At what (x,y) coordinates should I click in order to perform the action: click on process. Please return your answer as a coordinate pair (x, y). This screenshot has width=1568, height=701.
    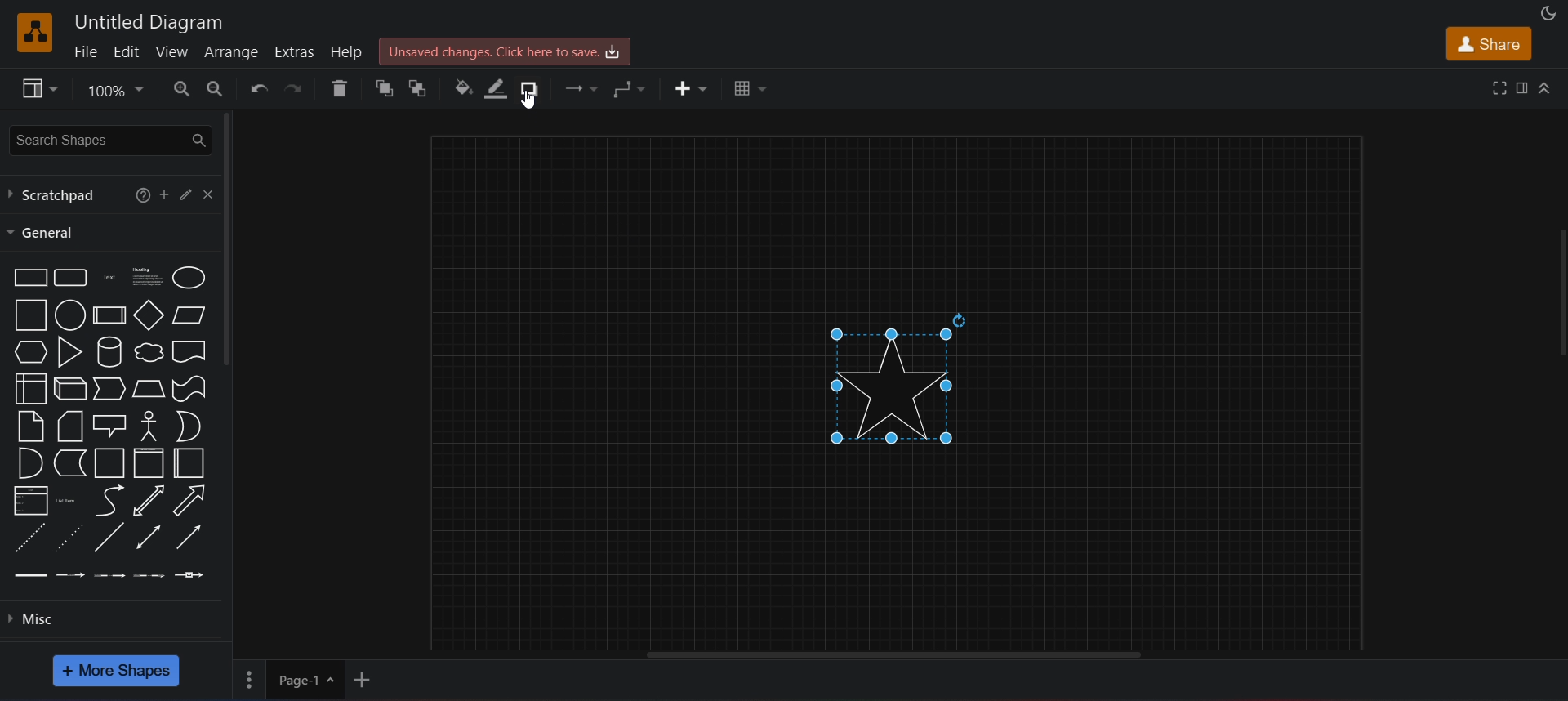
    Looking at the image, I should click on (109, 315).